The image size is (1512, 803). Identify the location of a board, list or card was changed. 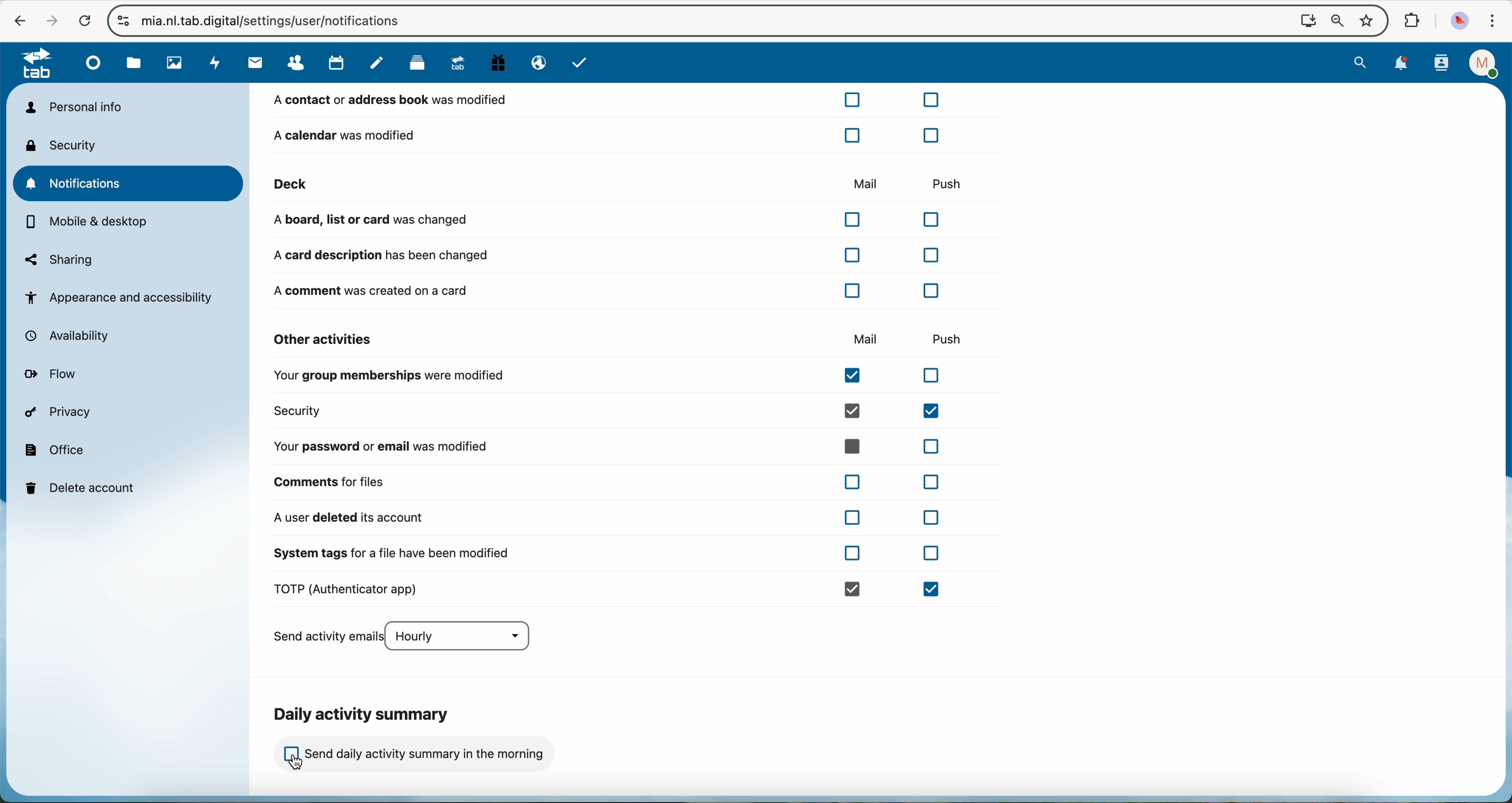
(612, 220).